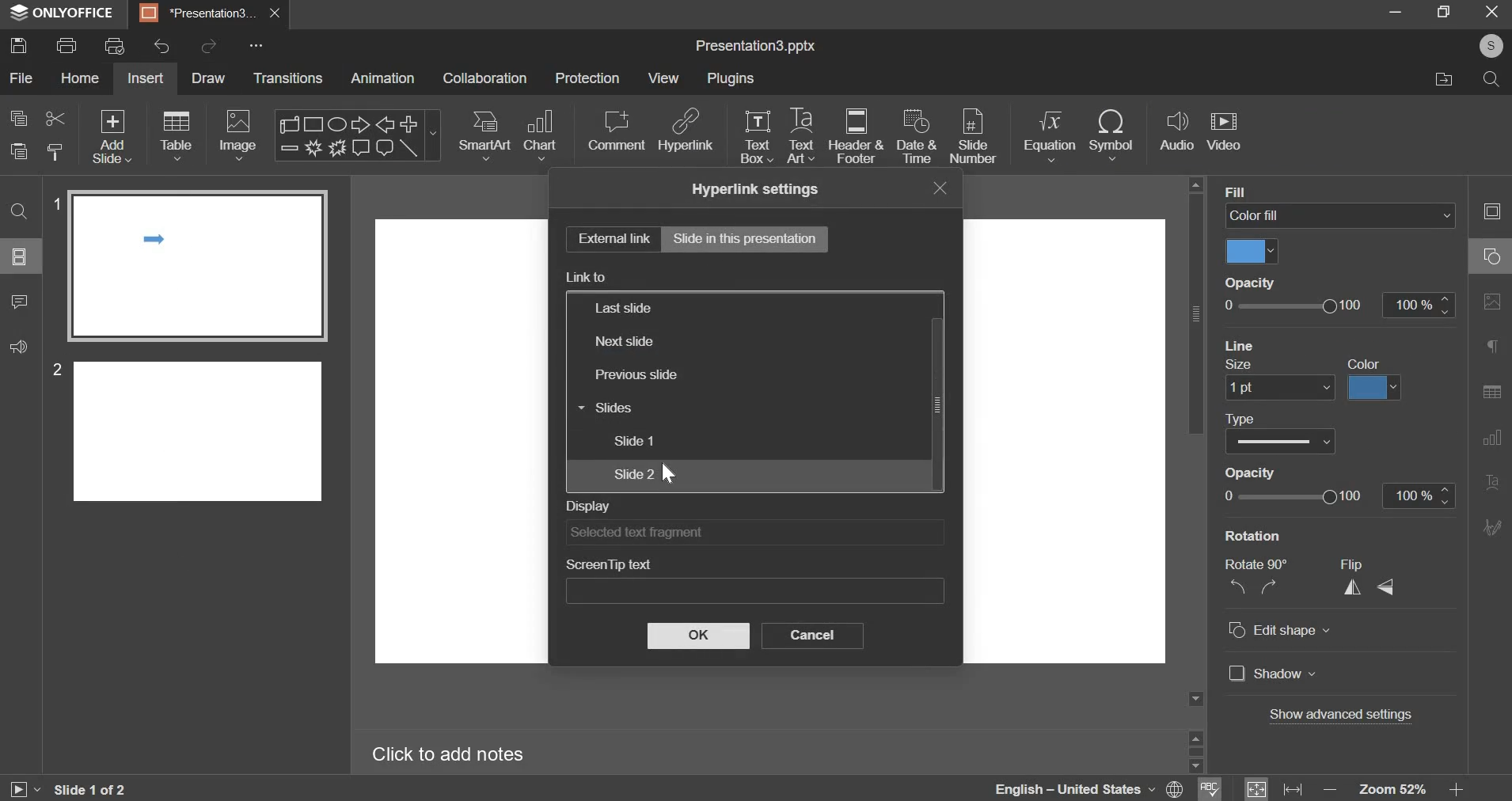 This screenshot has width=1512, height=801. What do you see at coordinates (587, 277) in the screenshot?
I see `link to` at bounding box center [587, 277].